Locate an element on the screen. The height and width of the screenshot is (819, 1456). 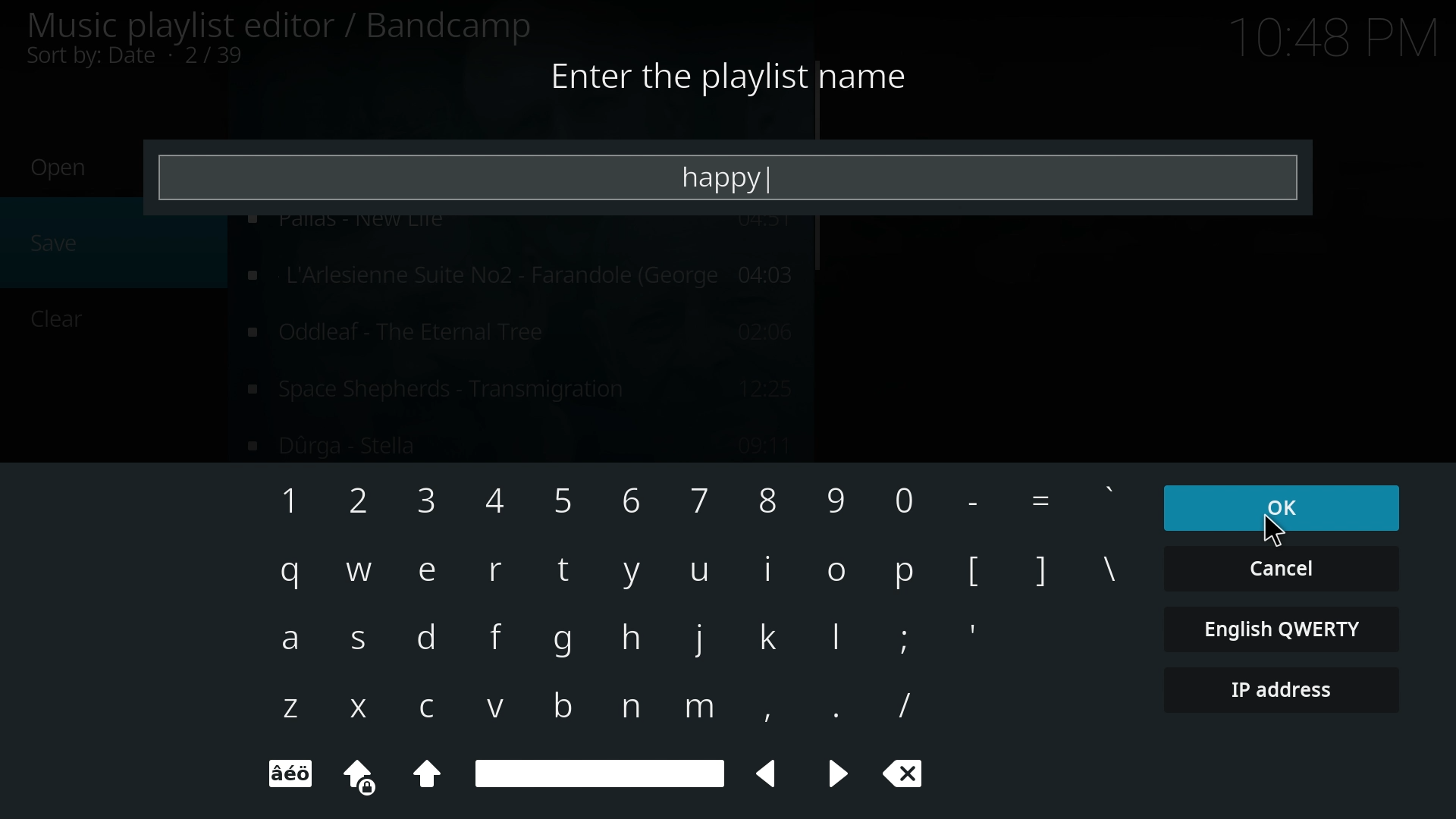
cursor is located at coordinates (1269, 536).